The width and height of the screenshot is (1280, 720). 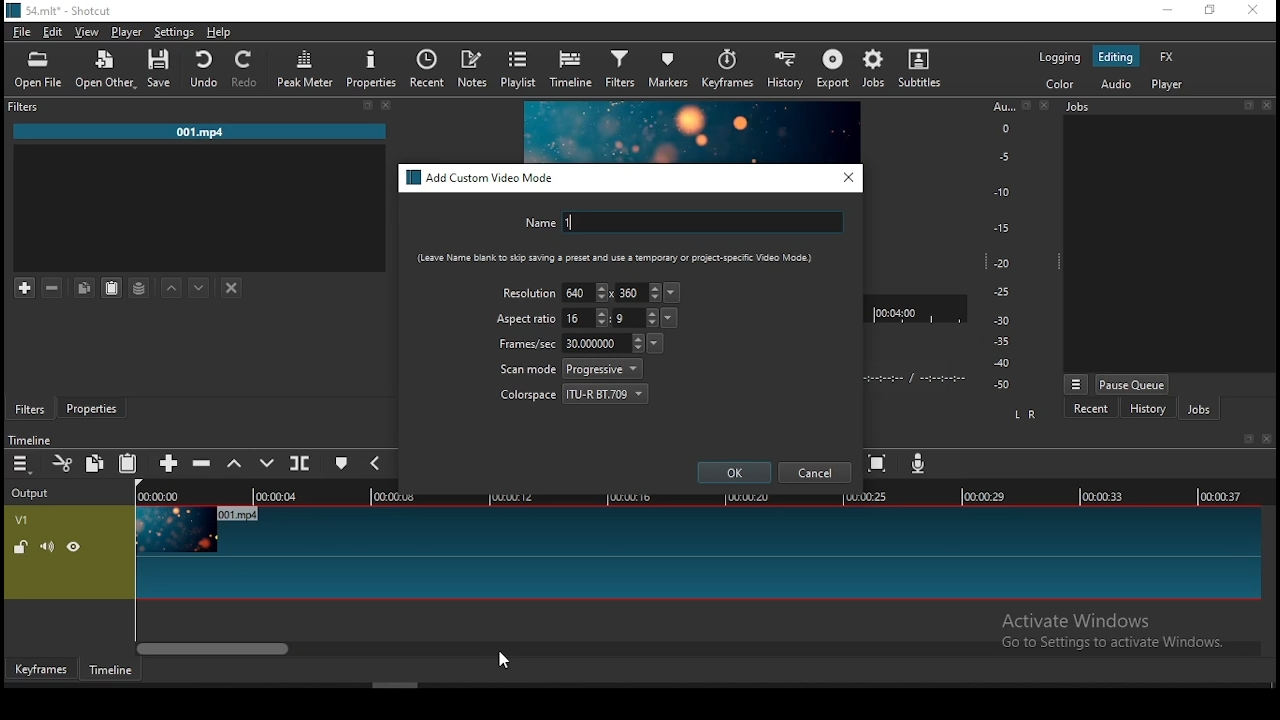 What do you see at coordinates (1000, 227) in the screenshot?
I see `-15` at bounding box center [1000, 227].